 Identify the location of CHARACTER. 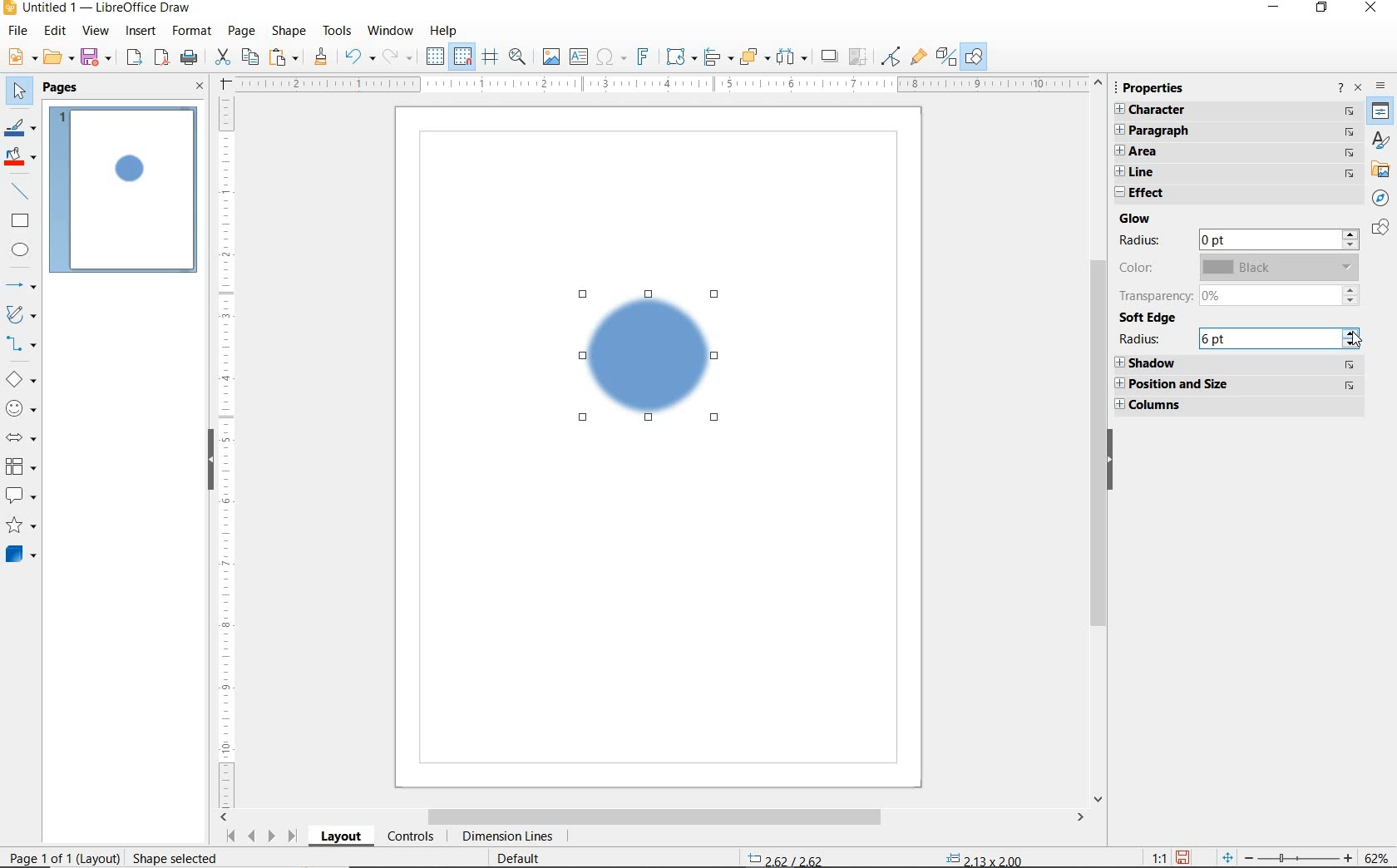
(1225, 111).